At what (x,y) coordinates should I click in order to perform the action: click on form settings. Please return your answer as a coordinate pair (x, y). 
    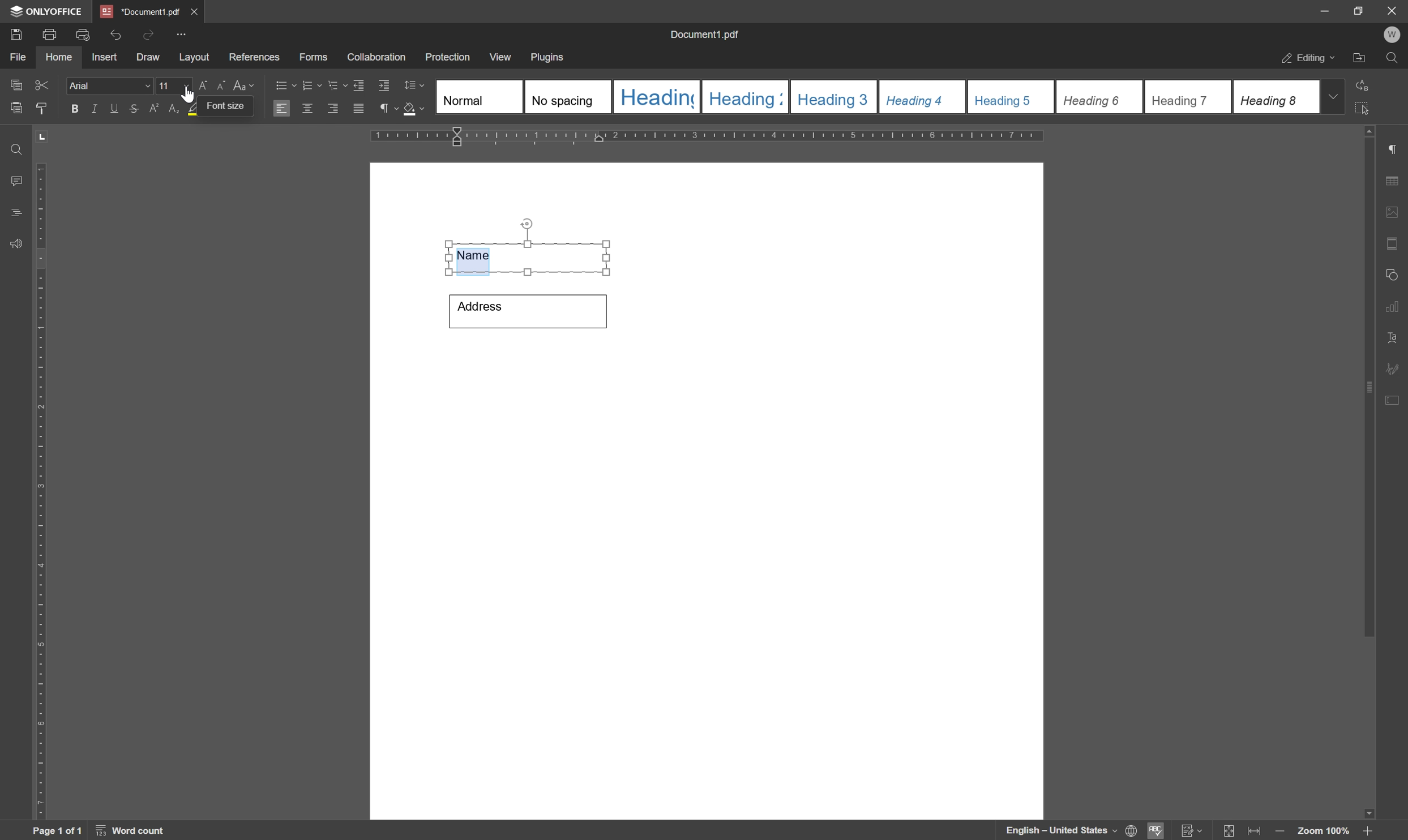
    Looking at the image, I should click on (1394, 398).